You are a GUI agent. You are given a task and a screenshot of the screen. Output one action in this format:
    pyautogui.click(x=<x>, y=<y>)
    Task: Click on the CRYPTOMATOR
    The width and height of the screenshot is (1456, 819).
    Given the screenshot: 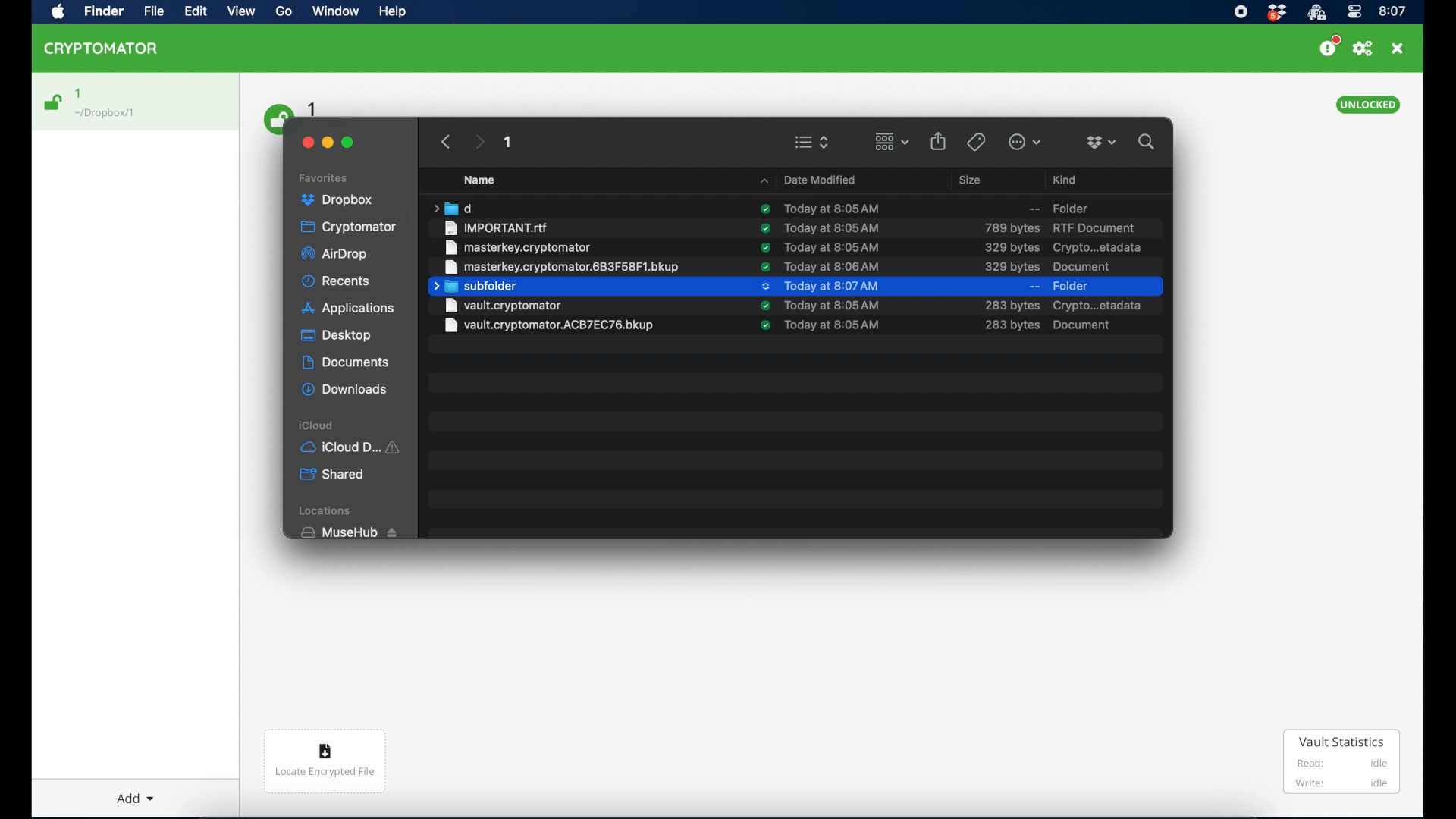 What is the action you would take?
    pyautogui.click(x=108, y=51)
    